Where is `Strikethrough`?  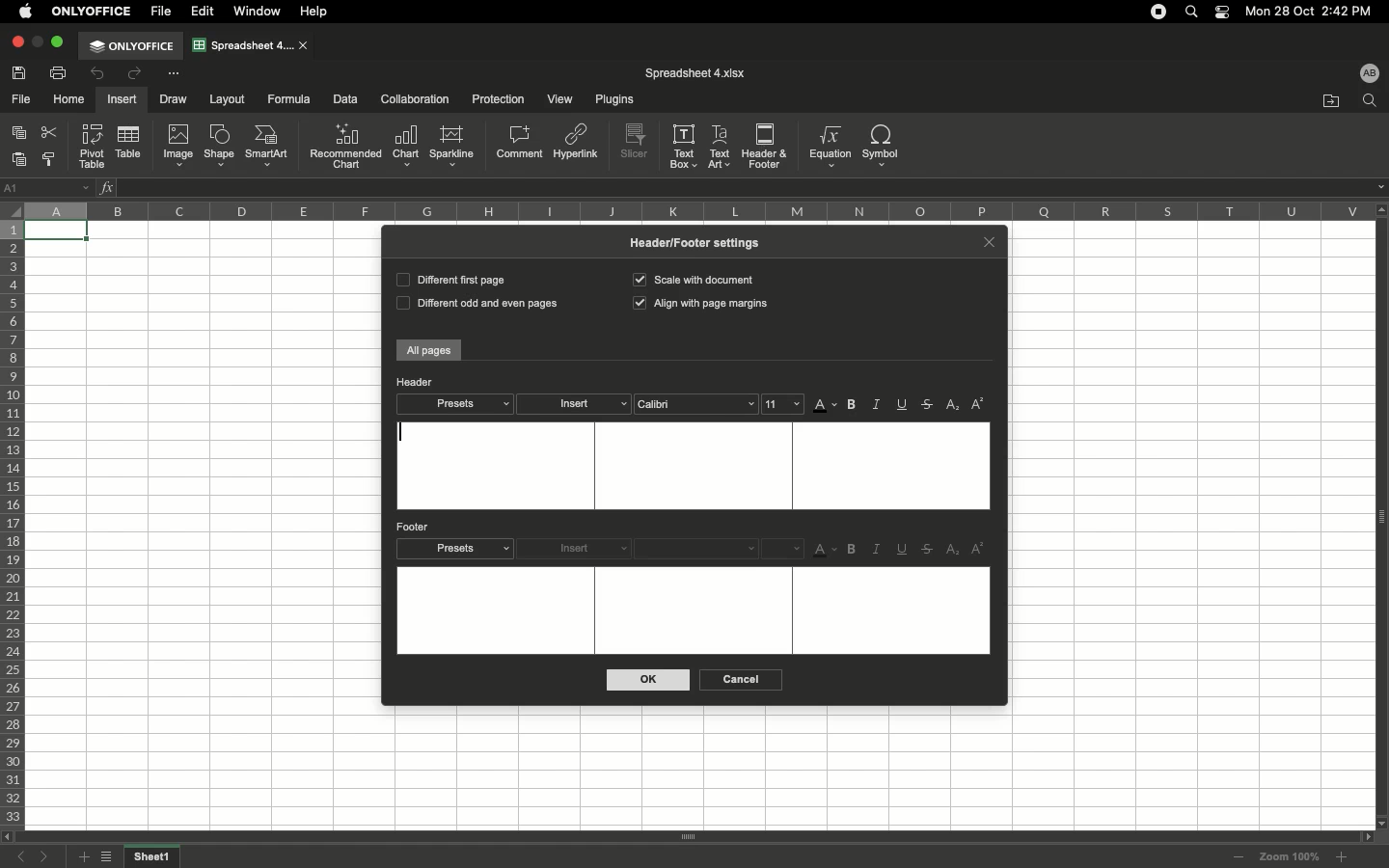
Strikethrough is located at coordinates (930, 404).